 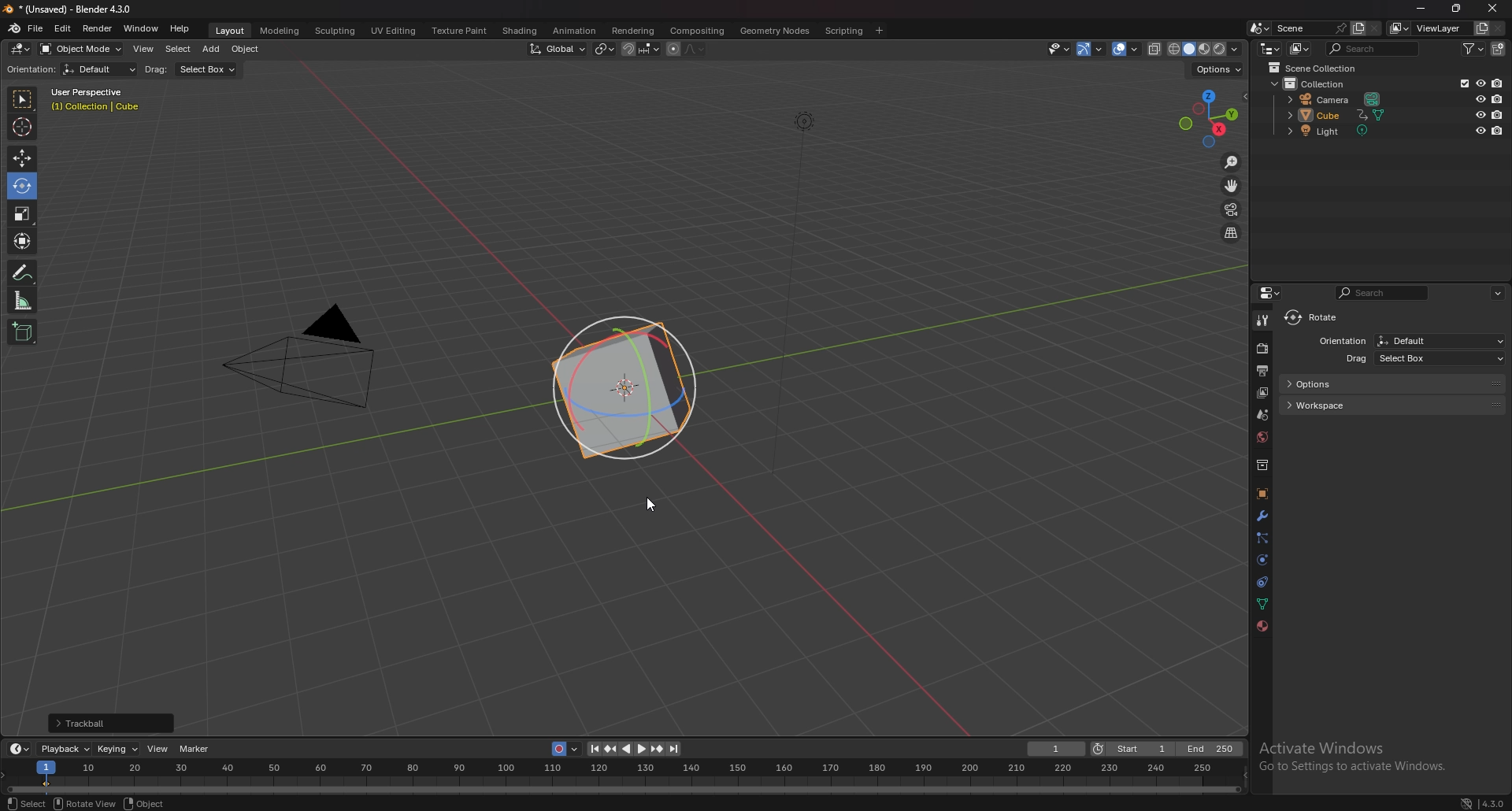 I want to click on filter, so click(x=1473, y=48).